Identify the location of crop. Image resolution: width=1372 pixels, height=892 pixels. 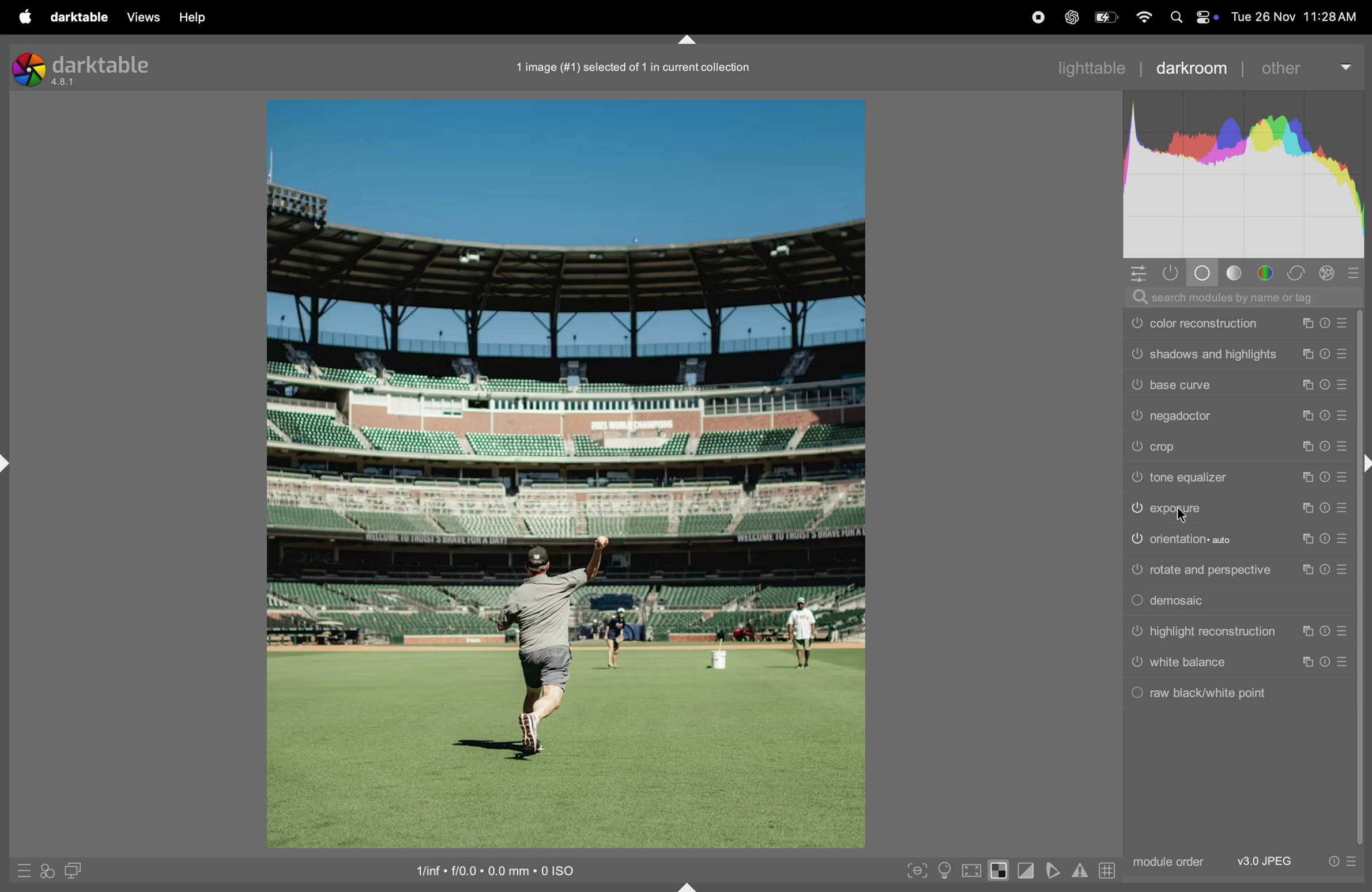
(1167, 449).